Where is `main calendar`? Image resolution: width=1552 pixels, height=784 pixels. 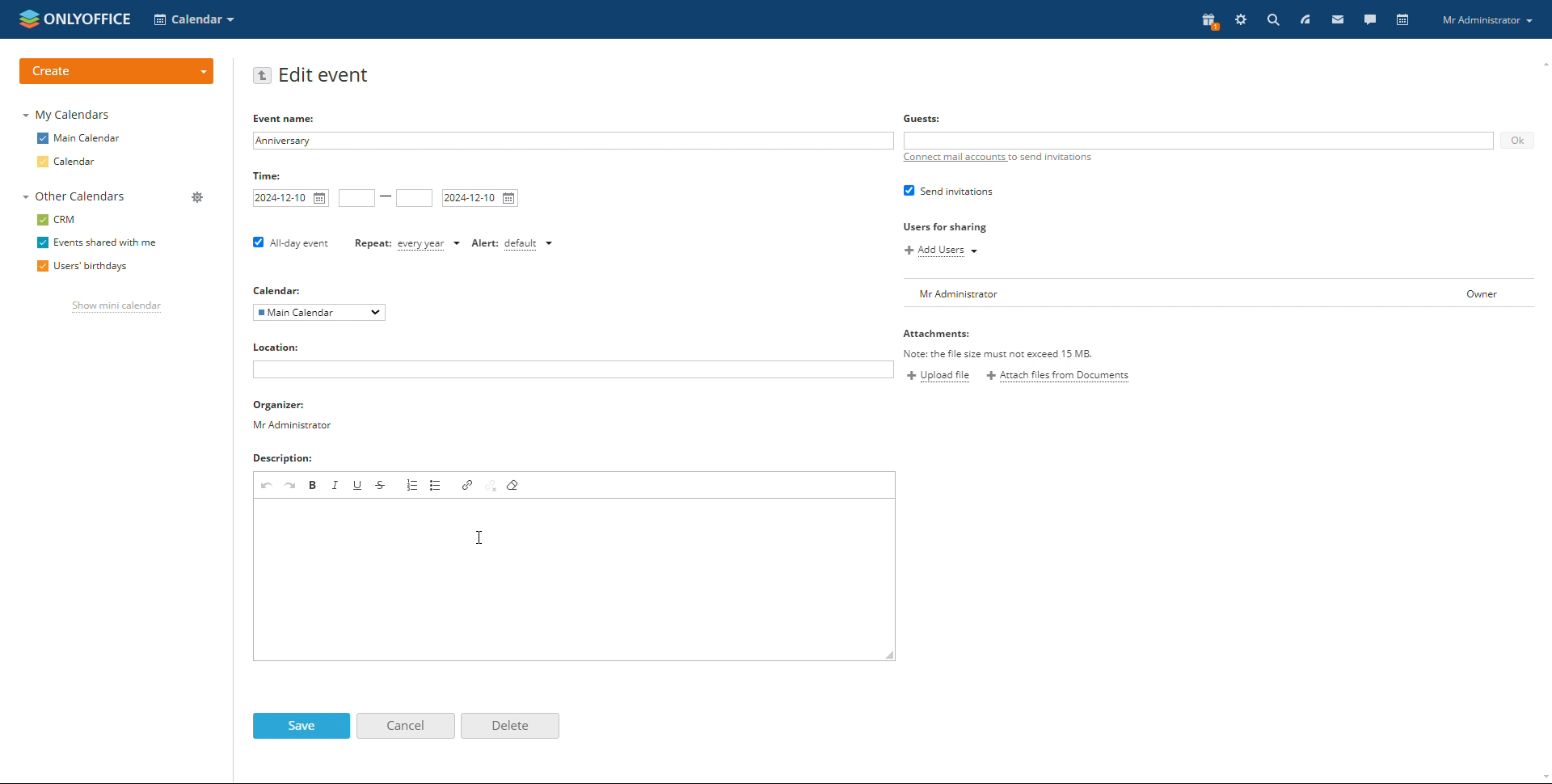 main calendar is located at coordinates (78, 139).